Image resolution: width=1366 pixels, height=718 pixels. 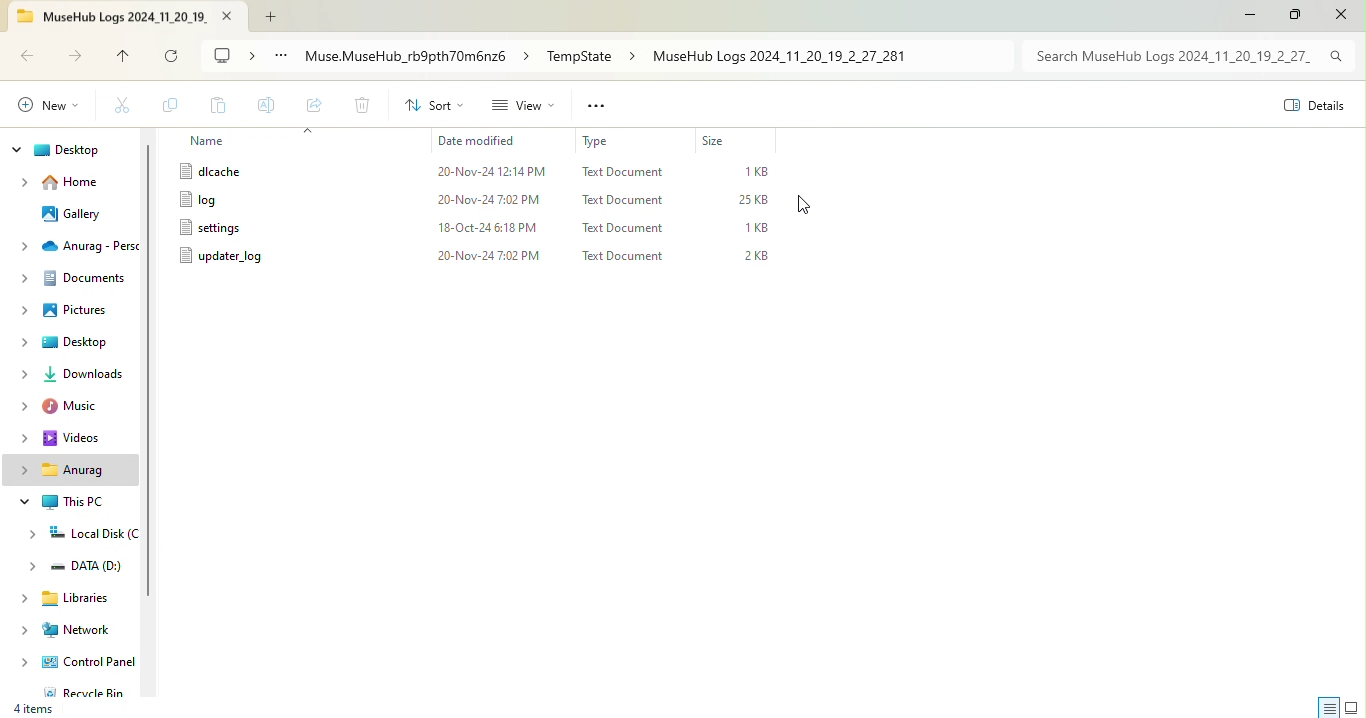 I want to click on Delete, so click(x=361, y=107).